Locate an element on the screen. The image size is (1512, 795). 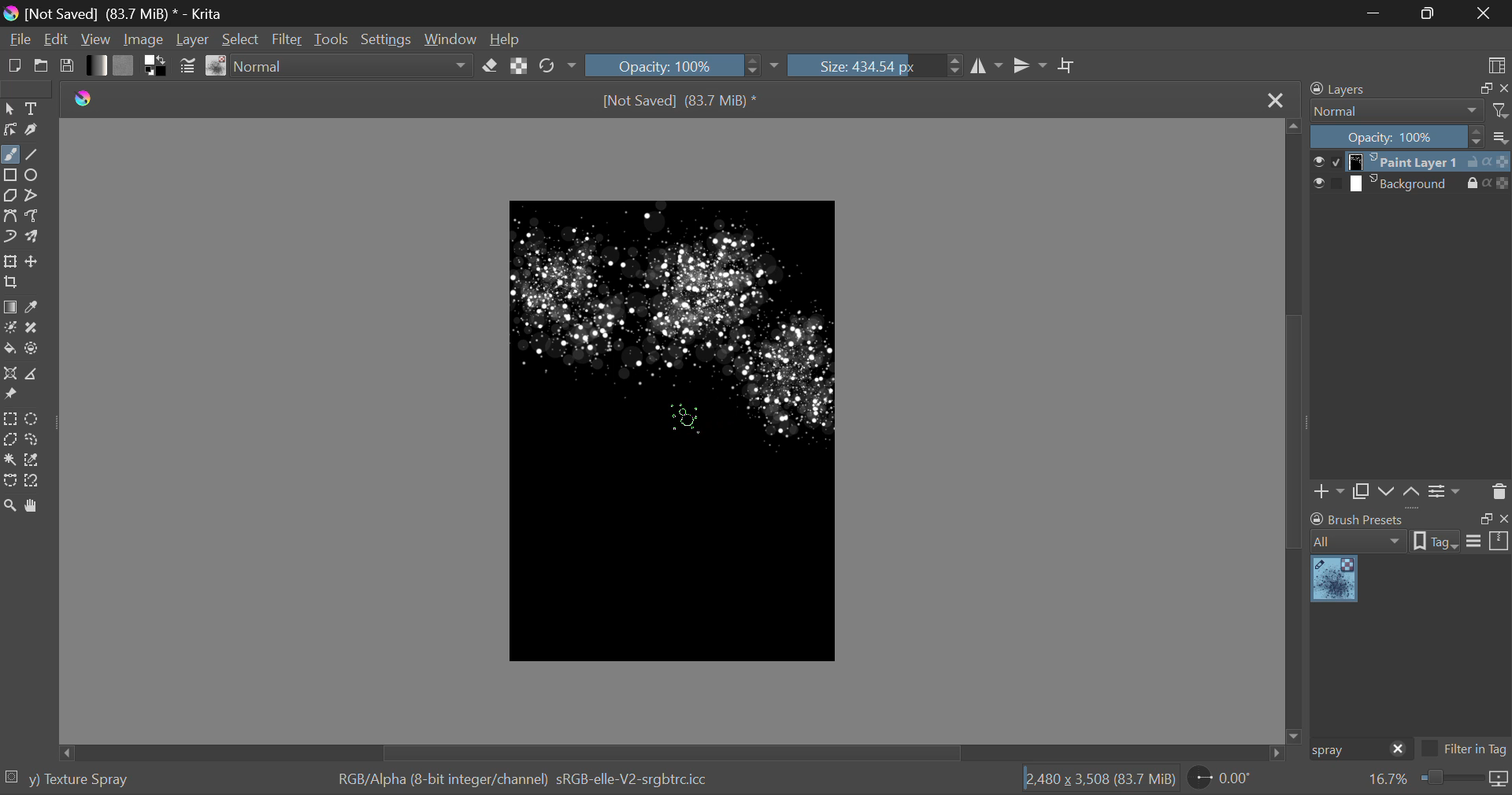
Brush Size is located at coordinates (875, 65).